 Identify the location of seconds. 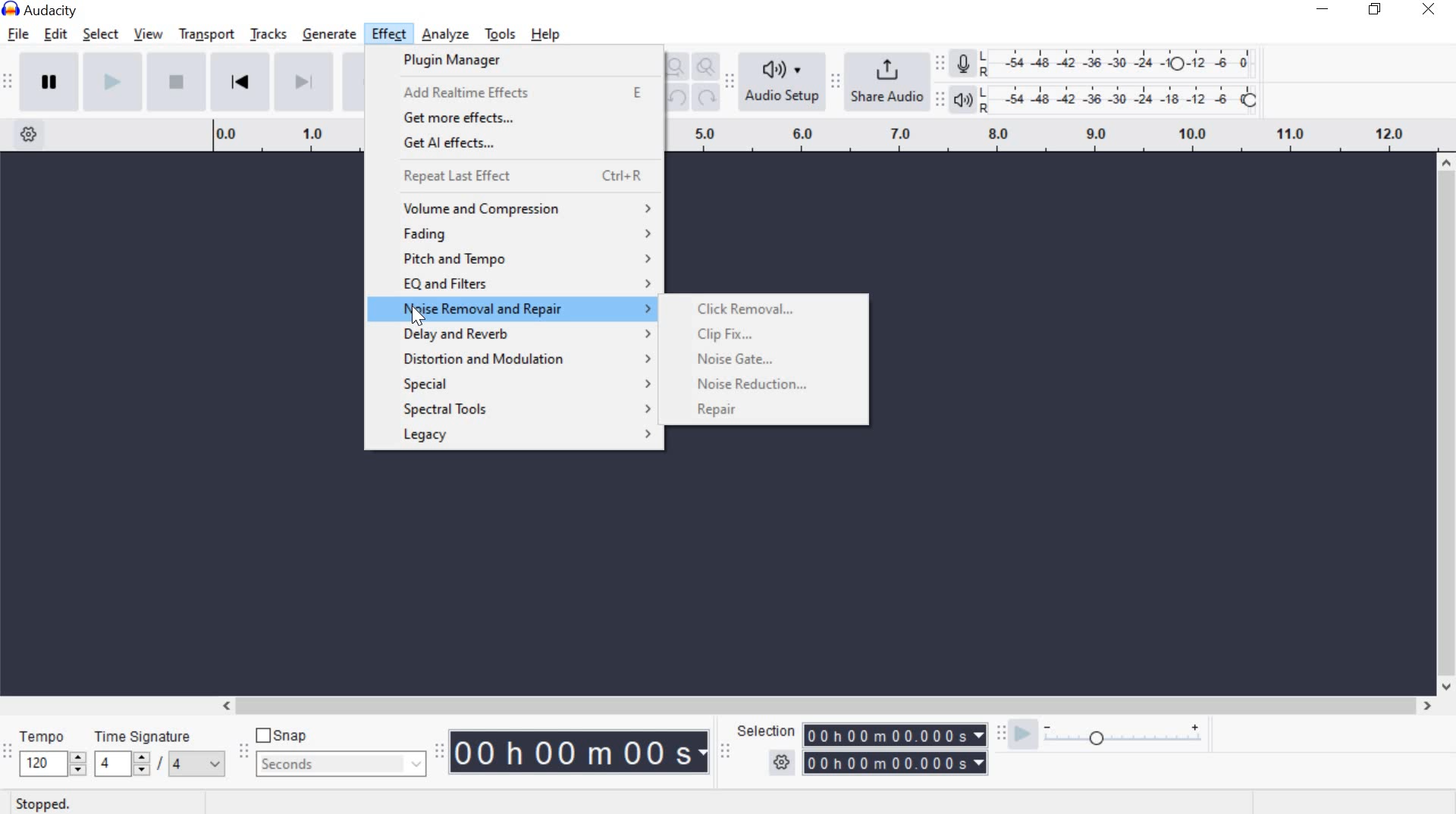
(344, 765).